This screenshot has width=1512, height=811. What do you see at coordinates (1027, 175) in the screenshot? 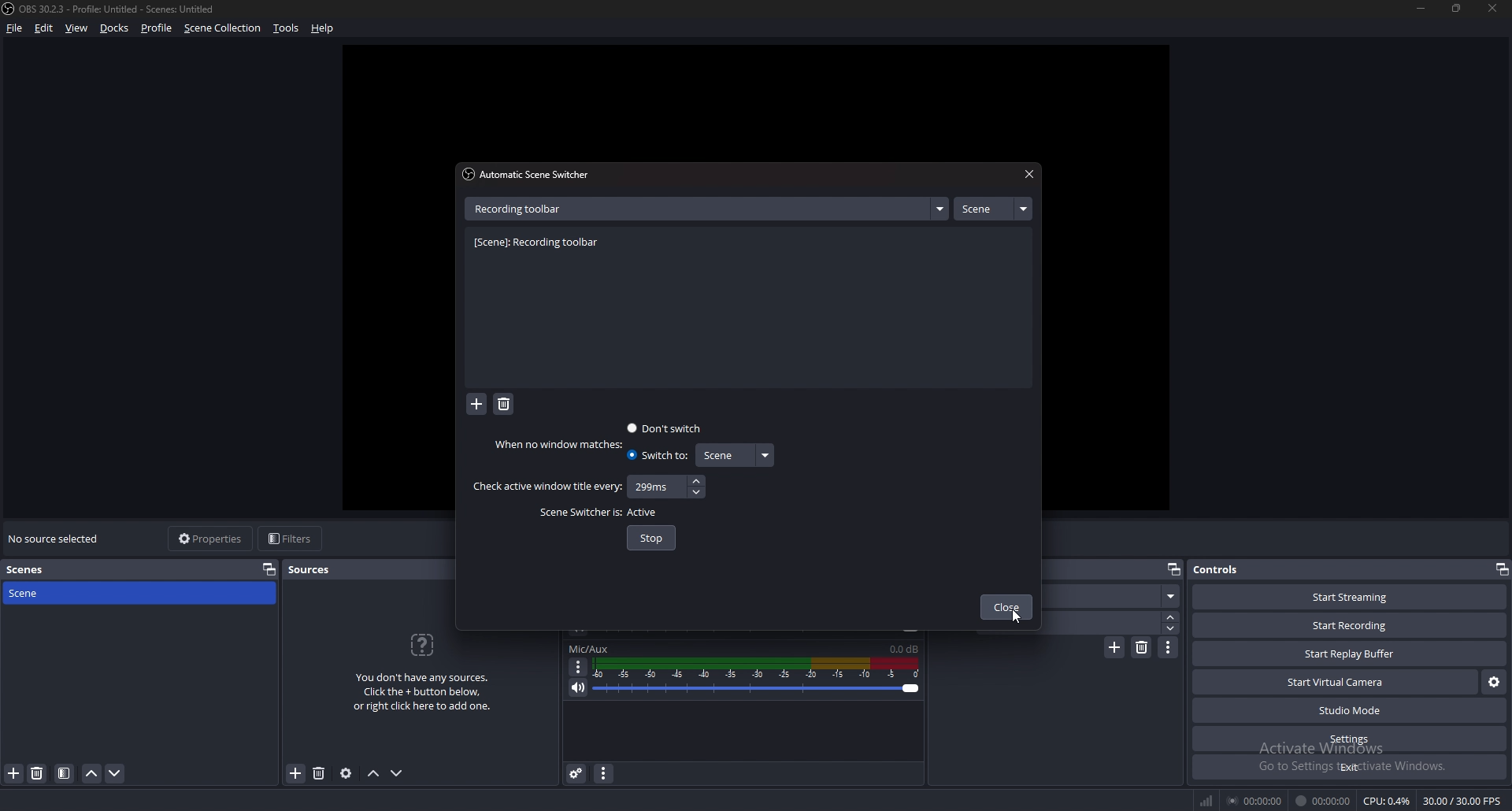
I see `close` at bounding box center [1027, 175].